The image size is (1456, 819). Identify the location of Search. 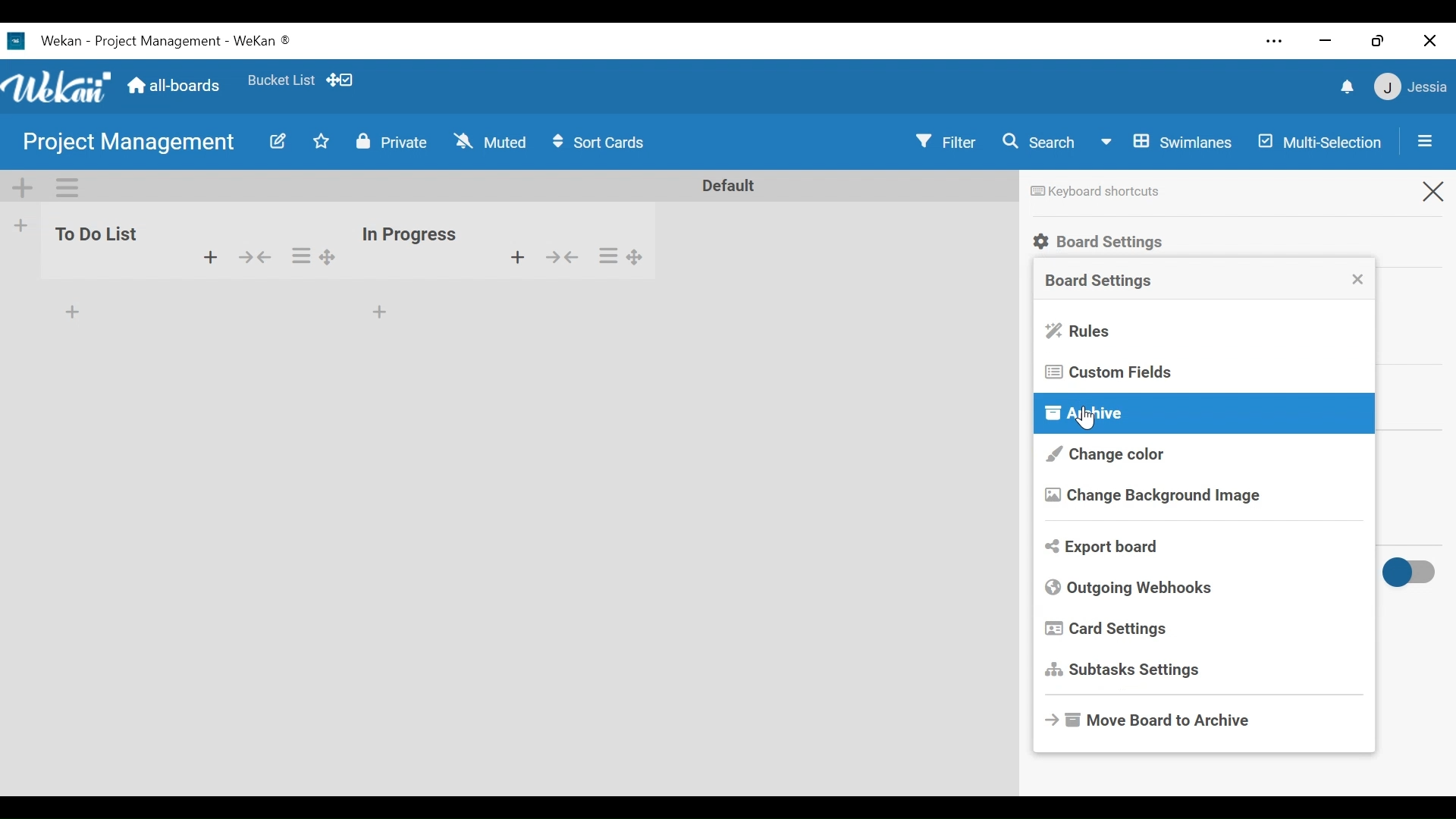
(1044, 142).